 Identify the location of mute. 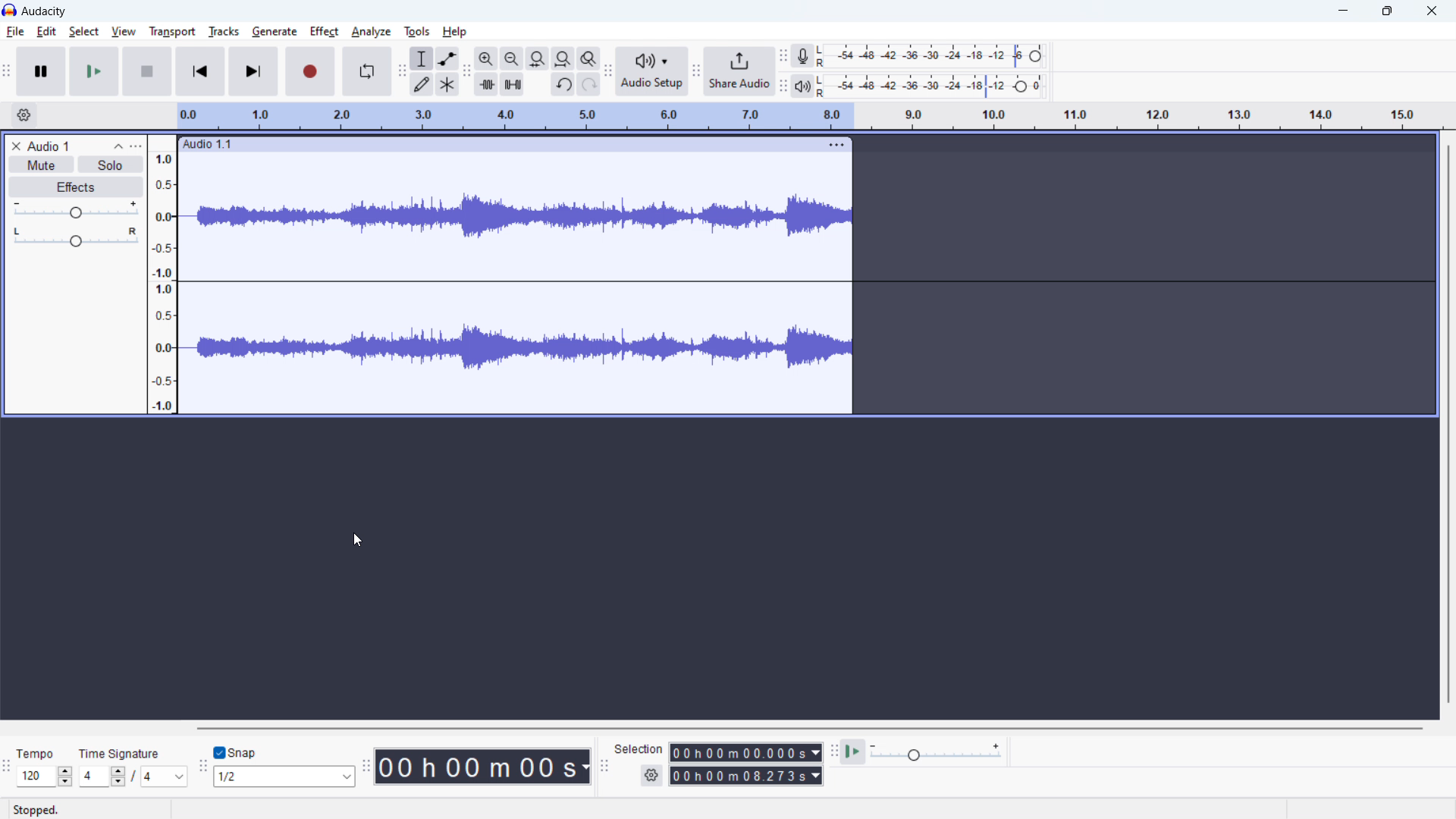
(41, 164).